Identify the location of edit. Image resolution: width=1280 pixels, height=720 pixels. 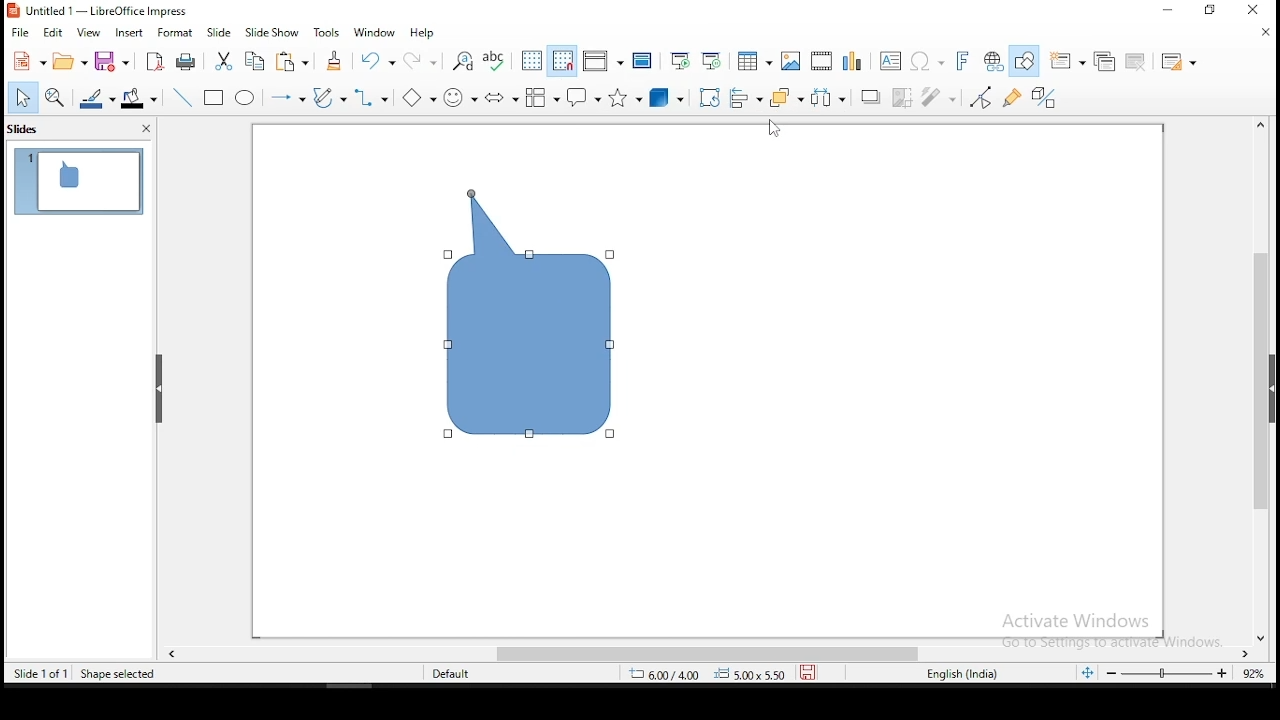
(55, 31).